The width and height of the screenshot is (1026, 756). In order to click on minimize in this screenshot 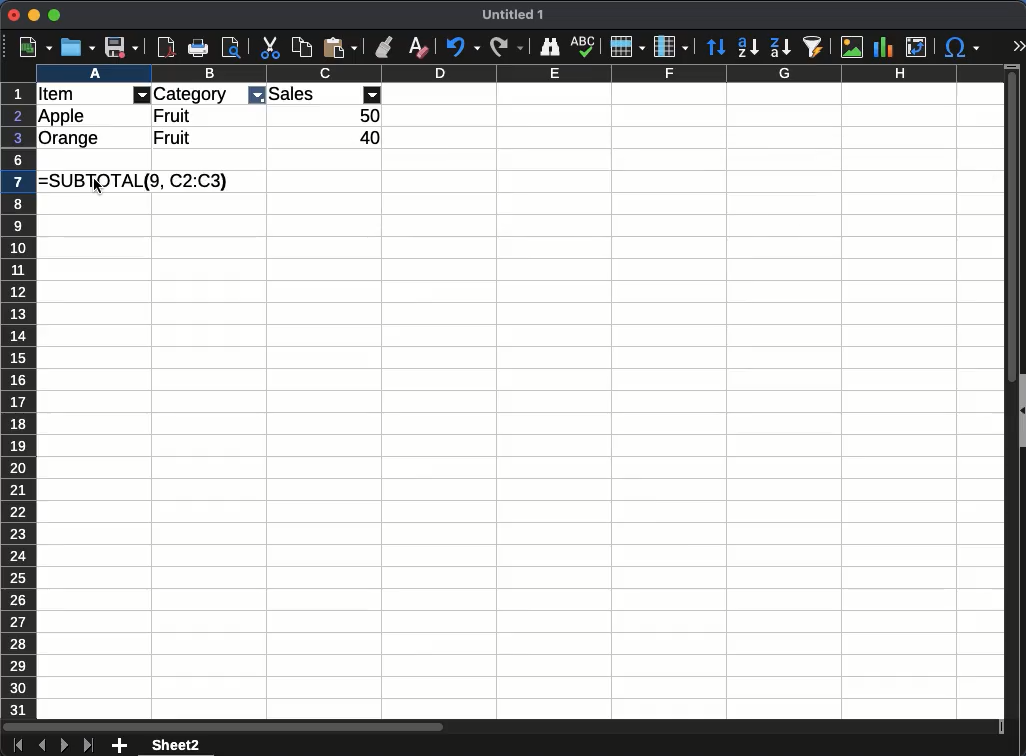, I will do `click(34, 15)`.